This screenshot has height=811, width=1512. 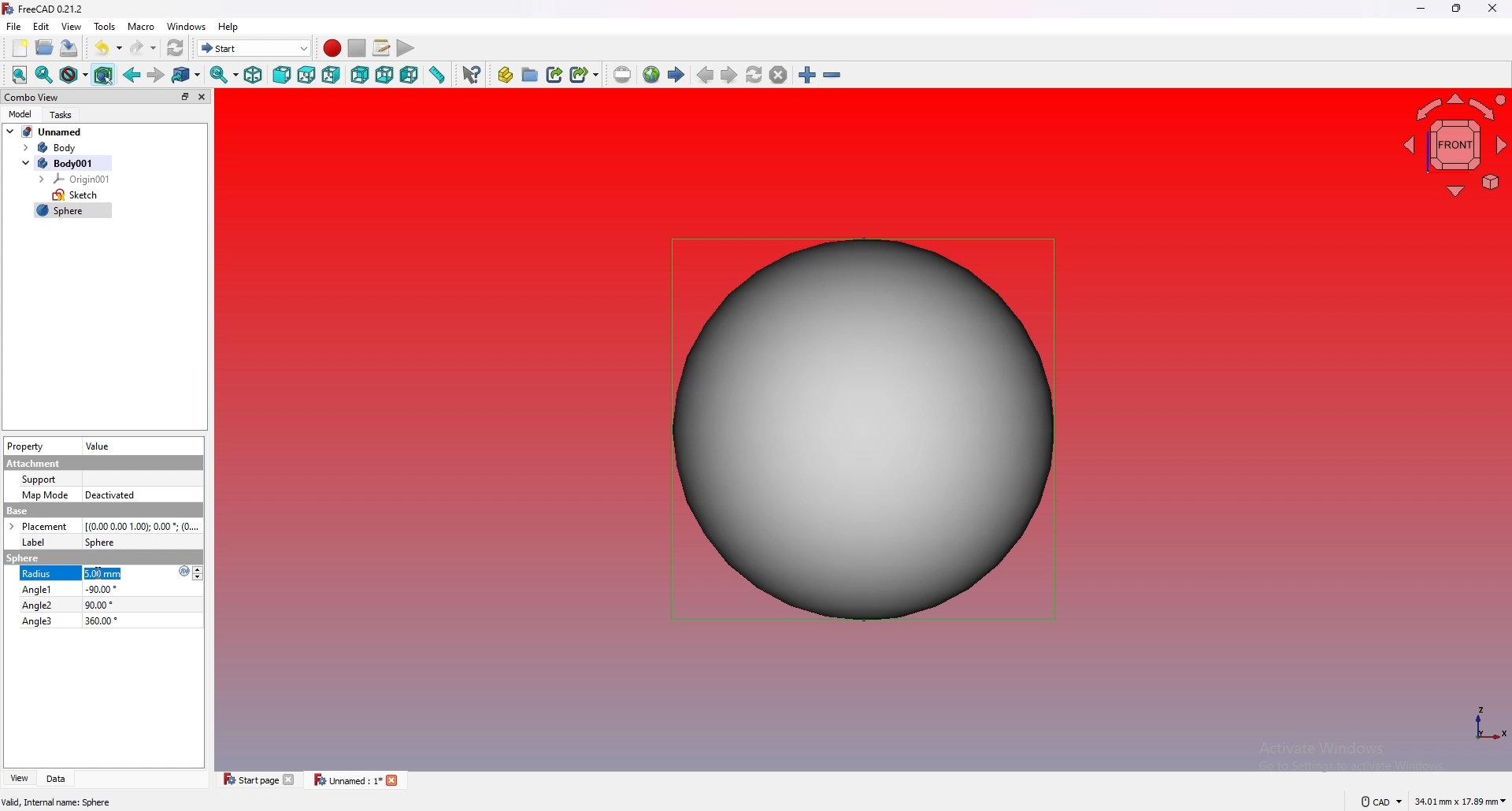 What do you see at coordinates (14, 27) in the screenshot?
I see `file` at bounding box center [14, 27].